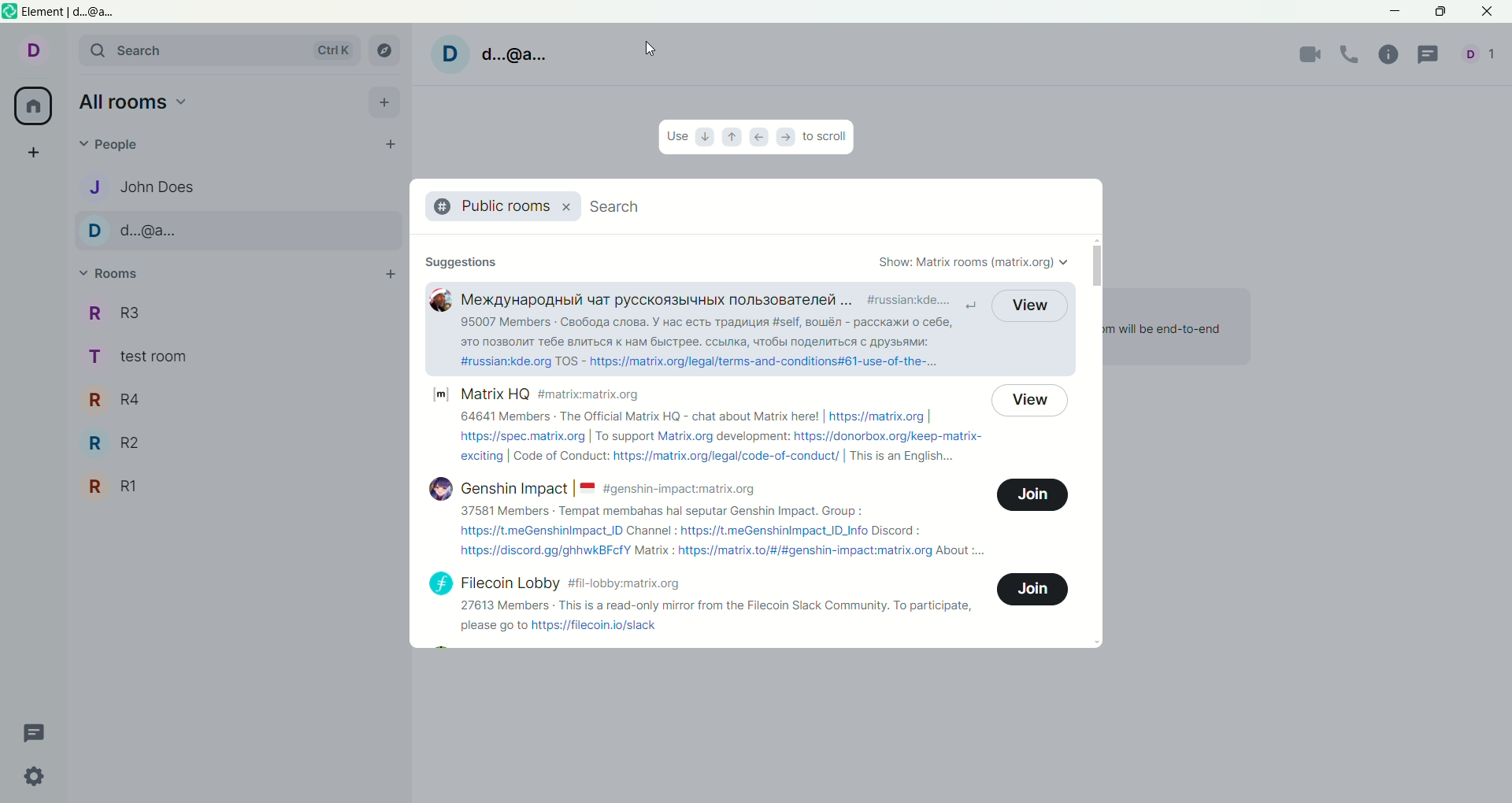 The image size is (1512, 803). Describe the element at coordinates (686, 437) in the screenshot. I see `Matrix.org` at that location.